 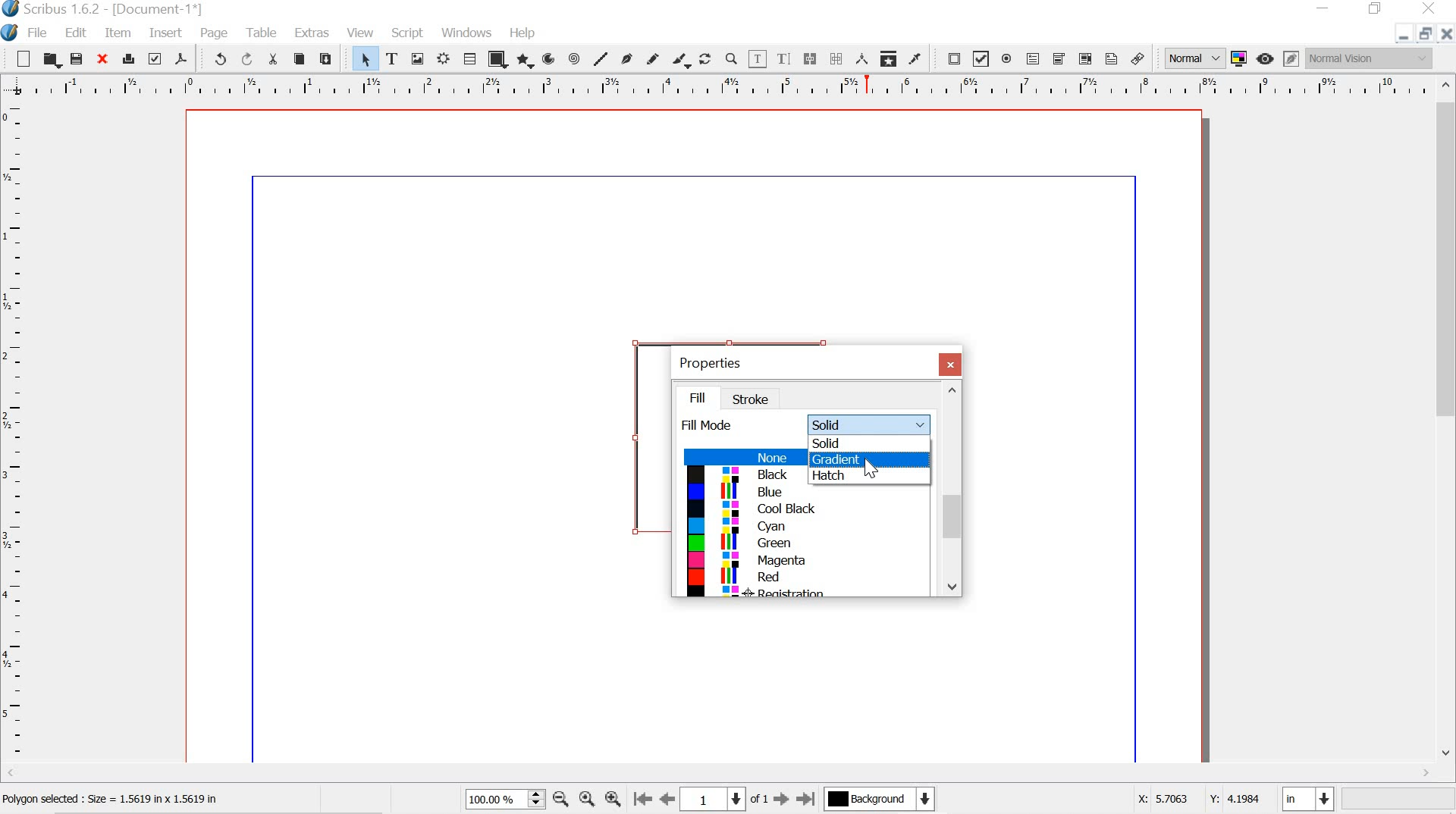 I want to click on pdf check box, so click(x=981, y=58).